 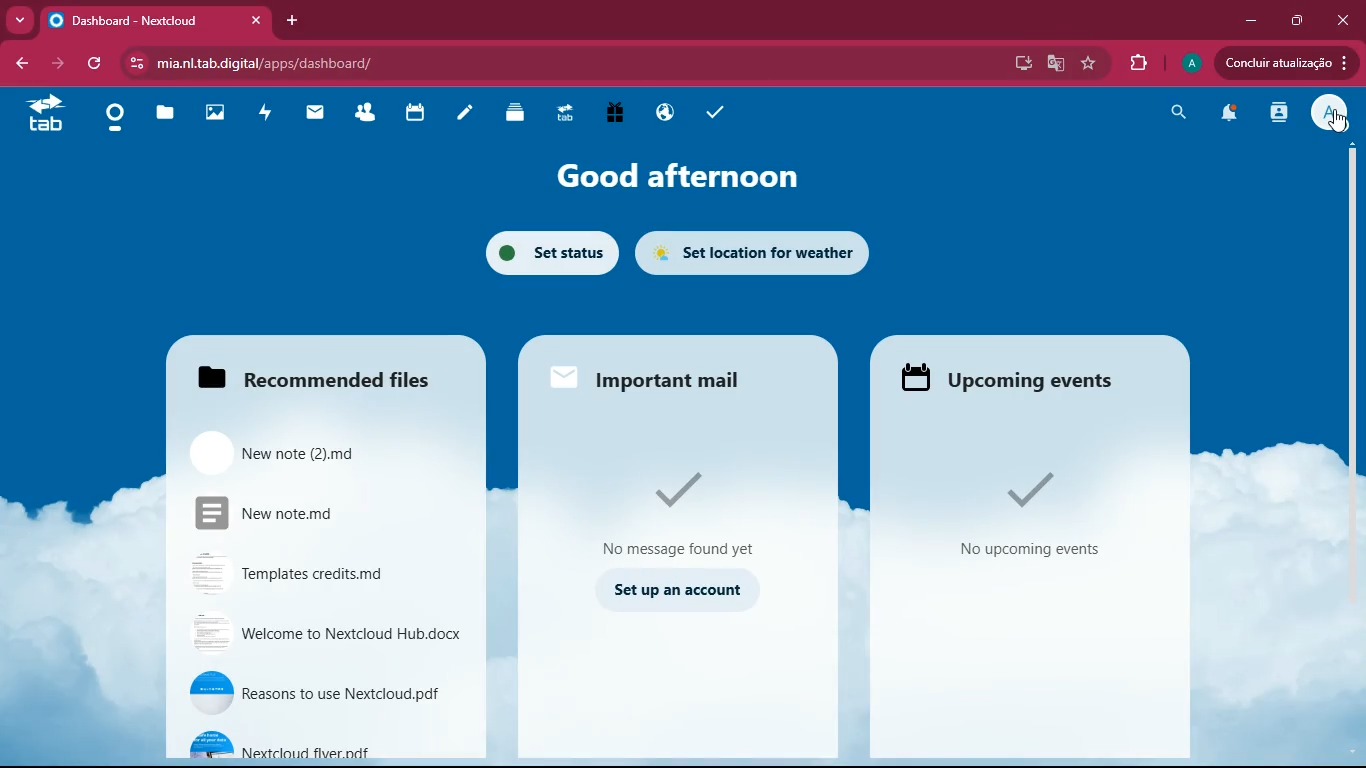 I want to click on profile, so click(x=1331, y=113).